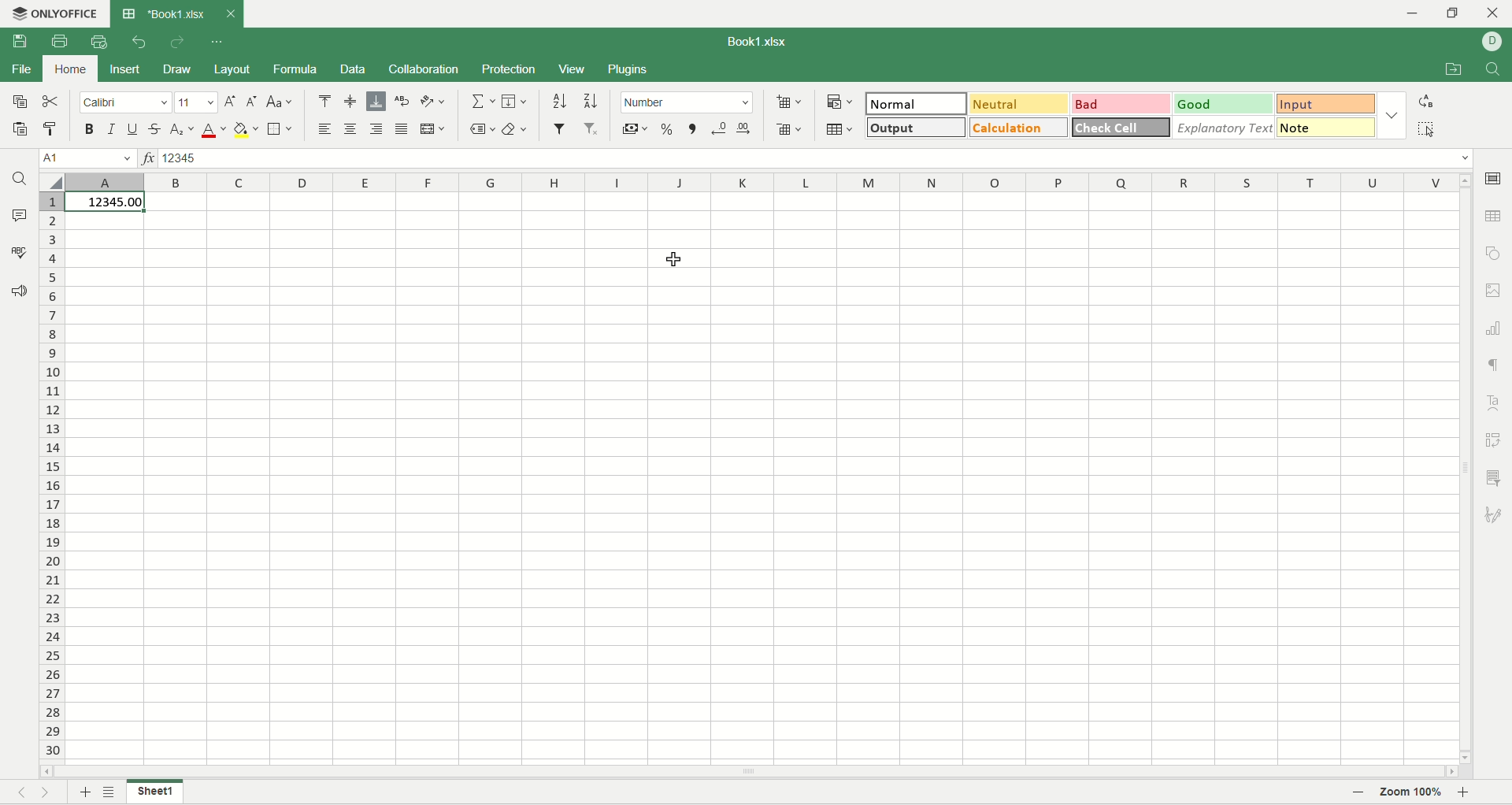  Describe the element at coordinates (213, 130) in the screenshot. I see `font color` at that location.